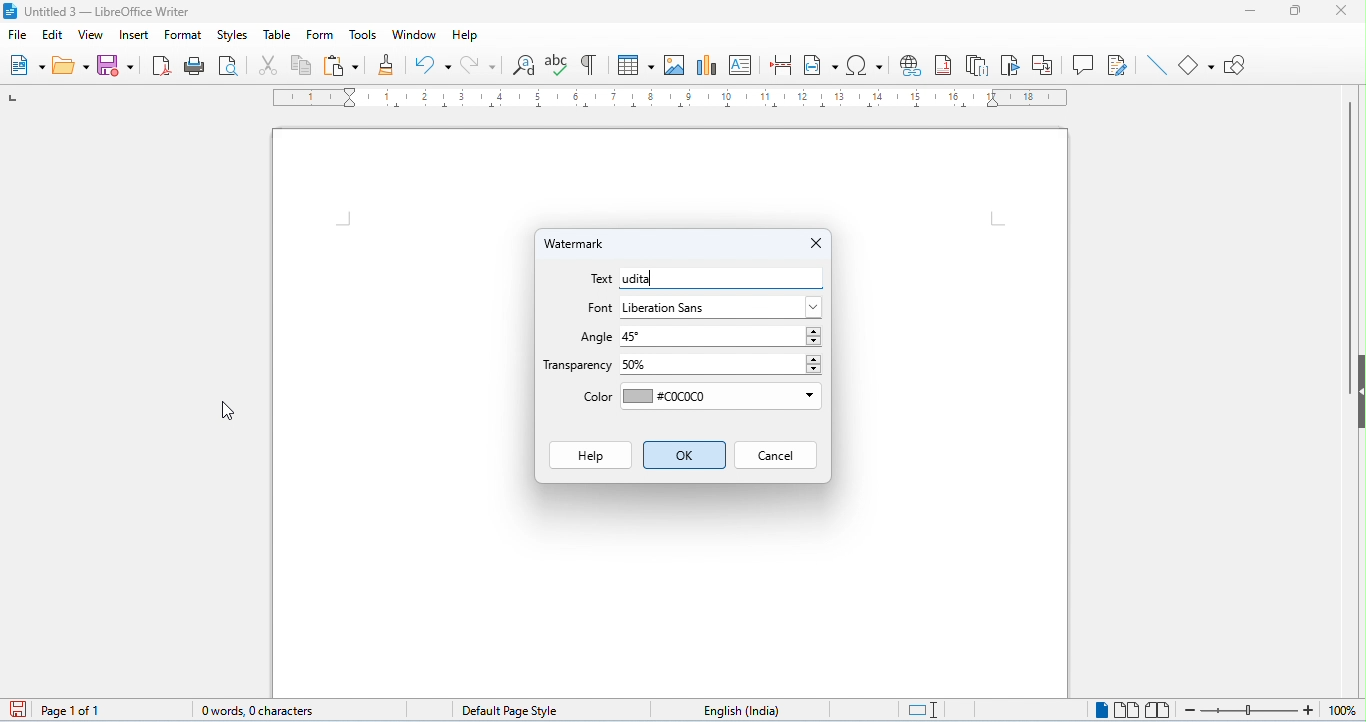  I want to click on help, so click(465, 36).